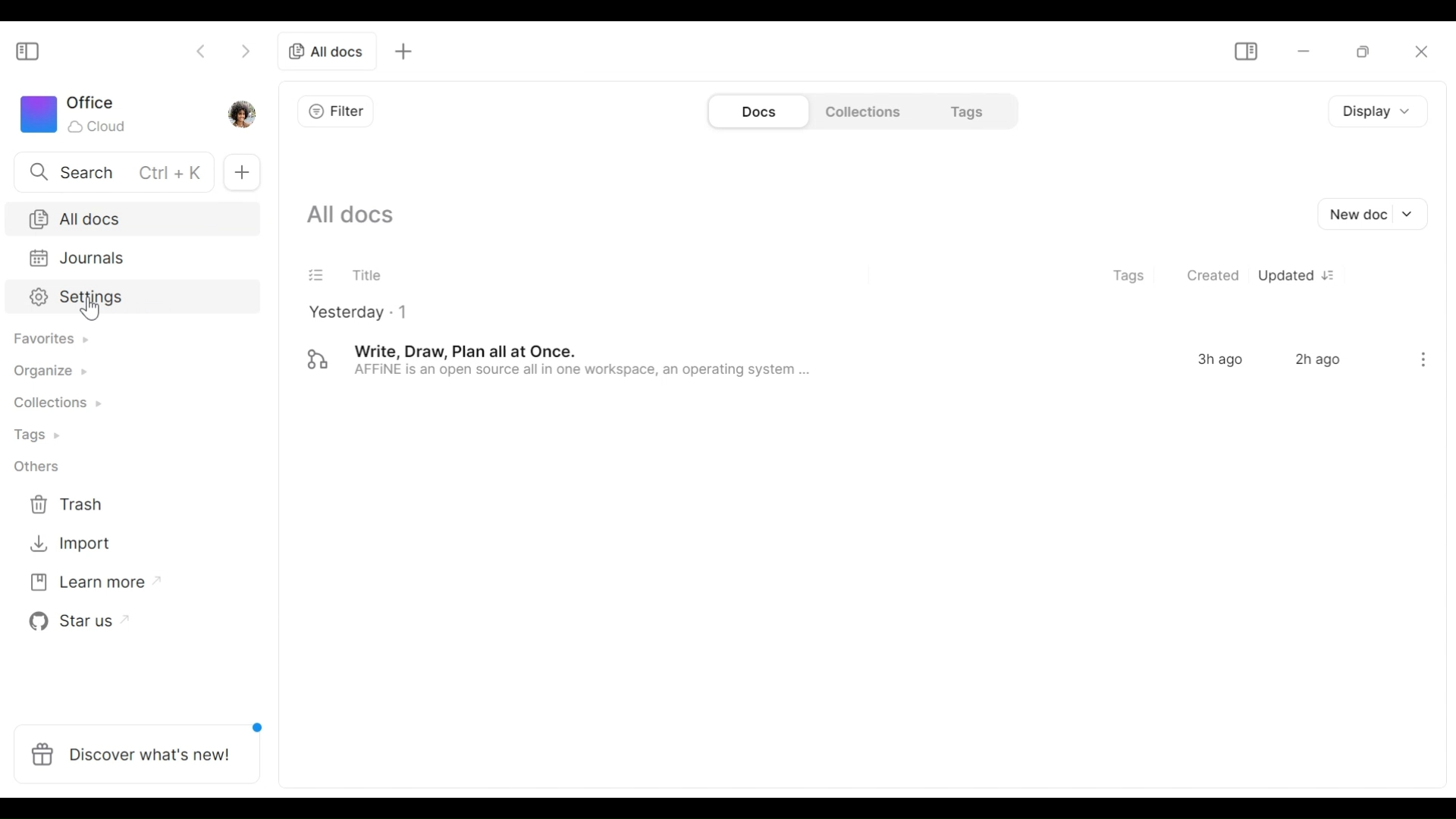 The image size is (1456, 819). What do you see at coordinates (1372, 215) in the screenshot?
I see `New document` at bounding box center [1372, 215].